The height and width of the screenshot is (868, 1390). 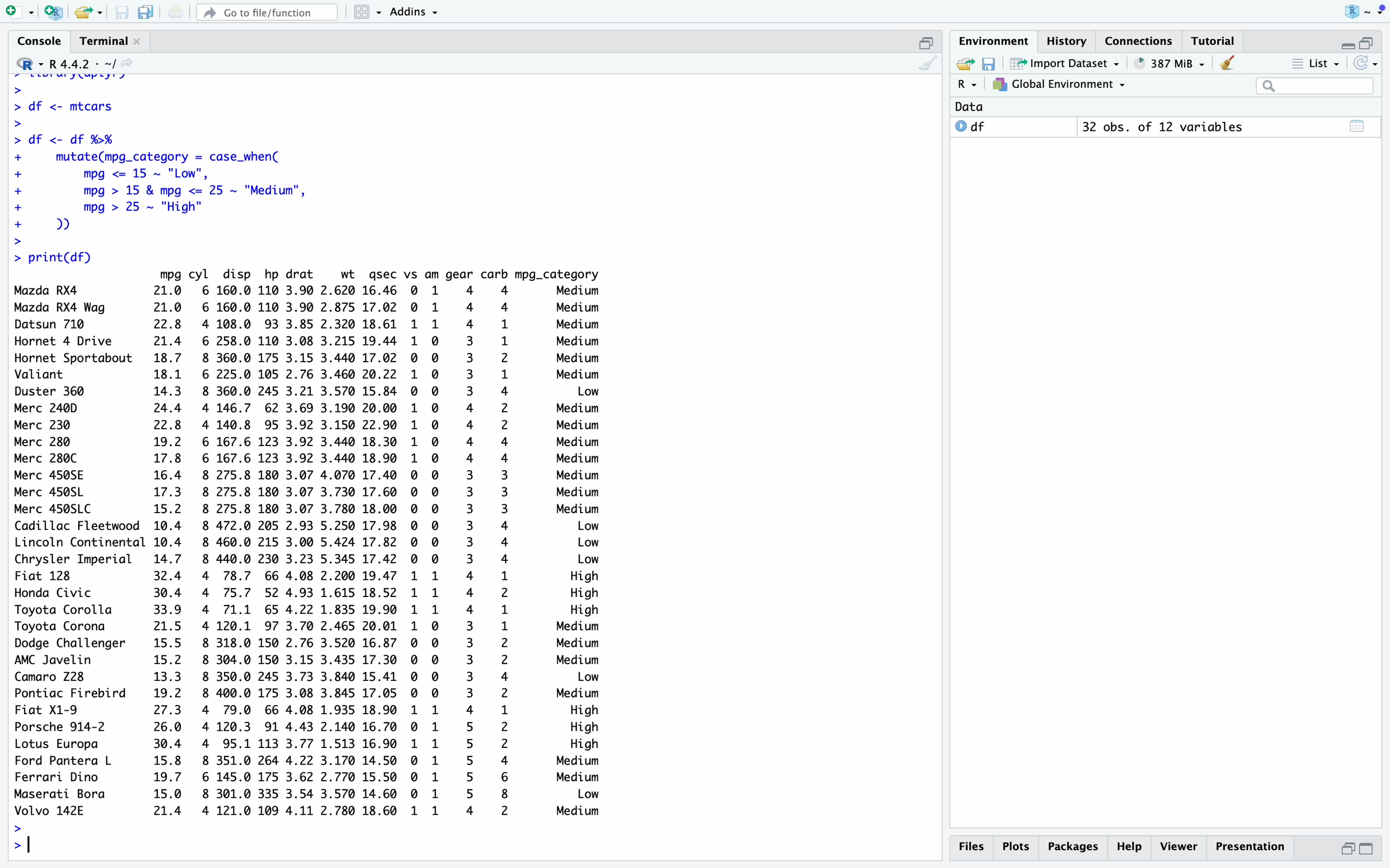 I want to click on Environment , so click(x=996, y=41).